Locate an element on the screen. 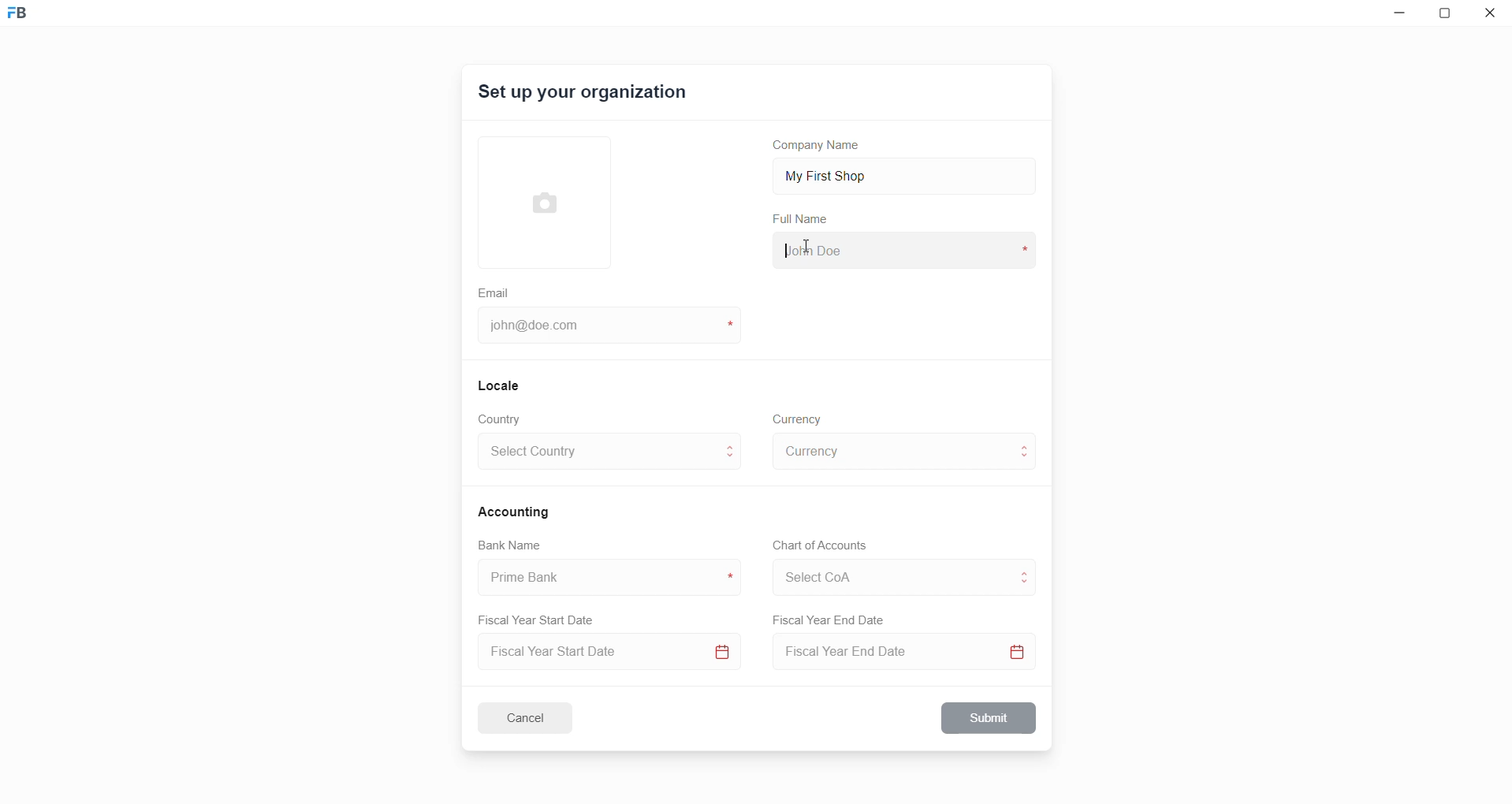  select CoA is located at coordinates (886, 575).